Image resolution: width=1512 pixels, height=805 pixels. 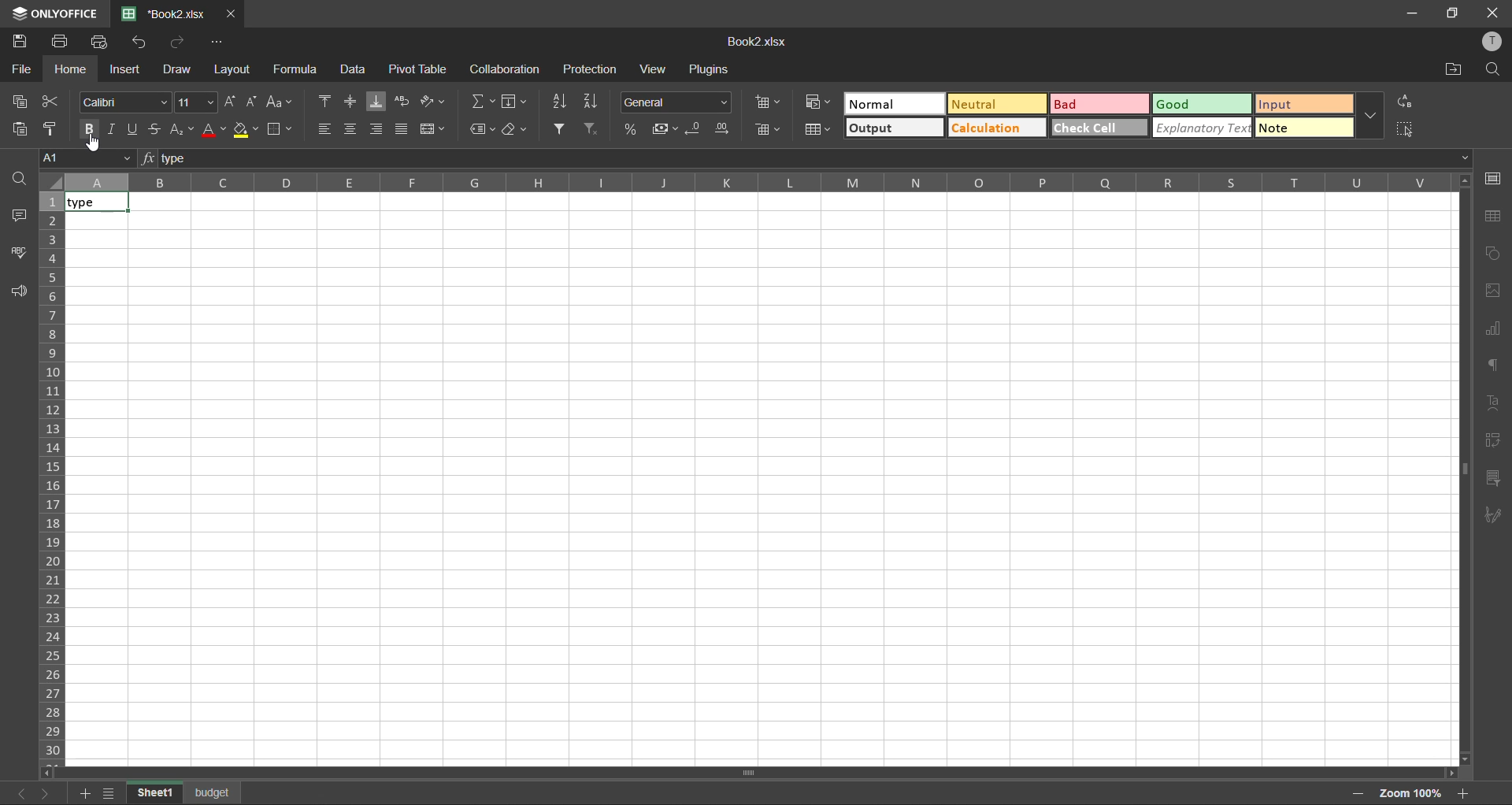 I want to click on home, so click(x=69, y=69).